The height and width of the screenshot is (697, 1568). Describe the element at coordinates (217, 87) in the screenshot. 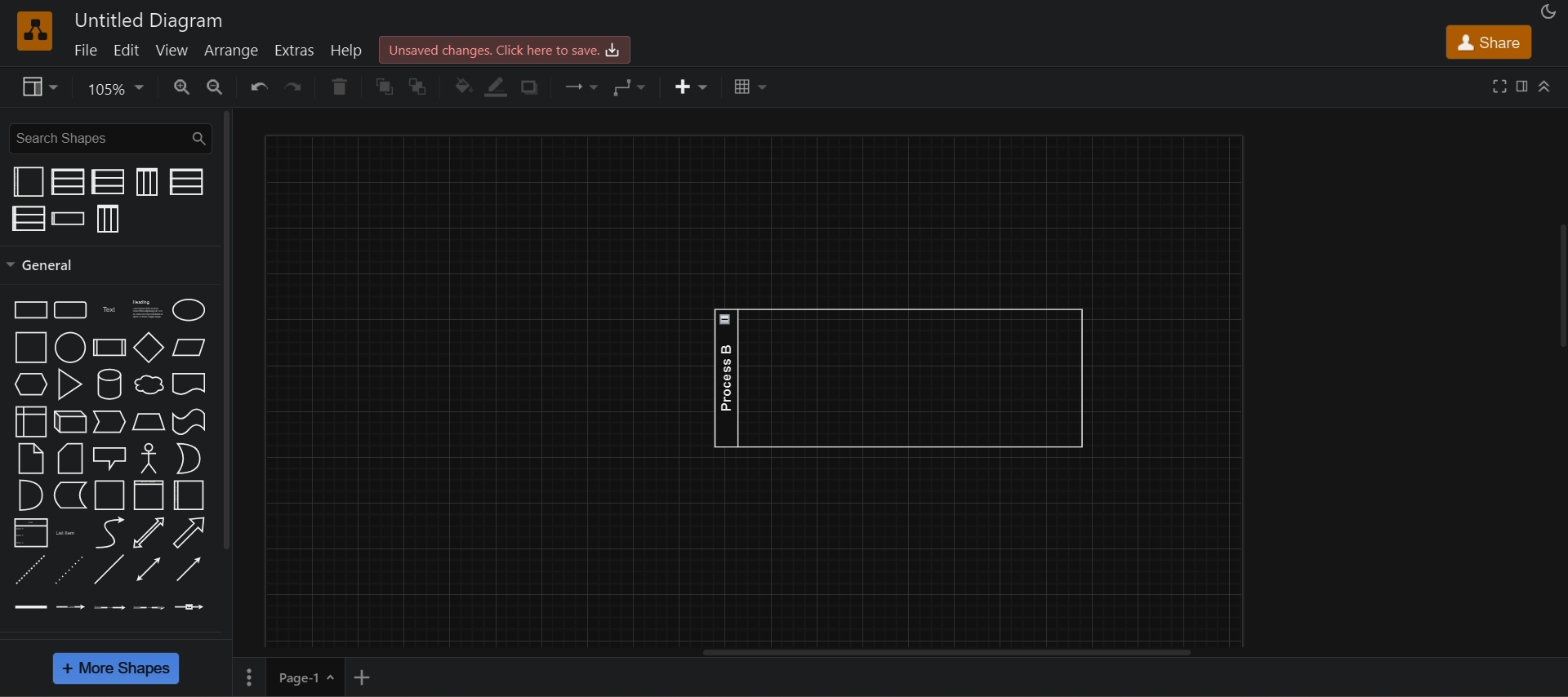

I see `zoom out` at that location.